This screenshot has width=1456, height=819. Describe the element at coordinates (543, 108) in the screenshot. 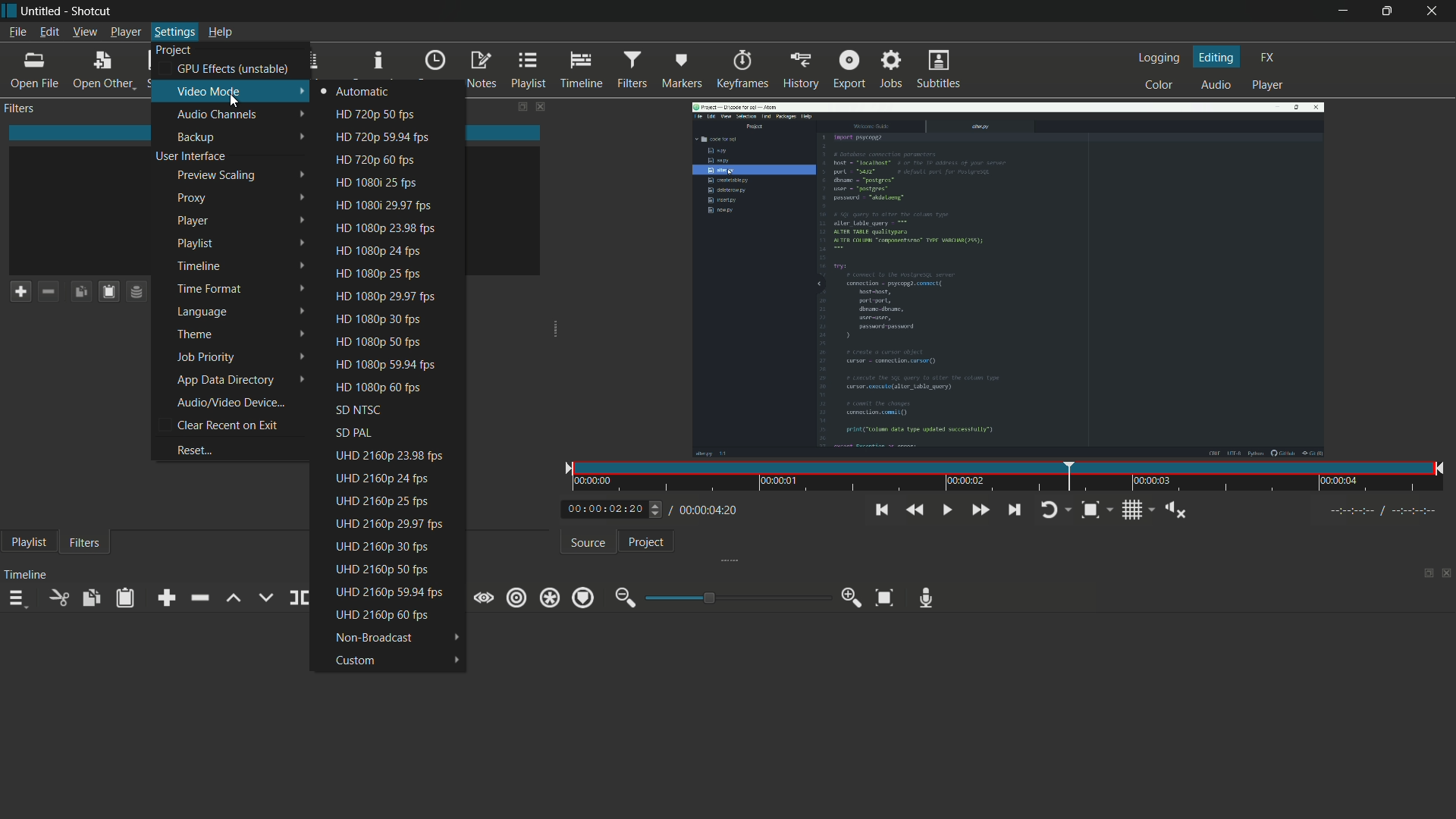

I see `close filters` at that location.